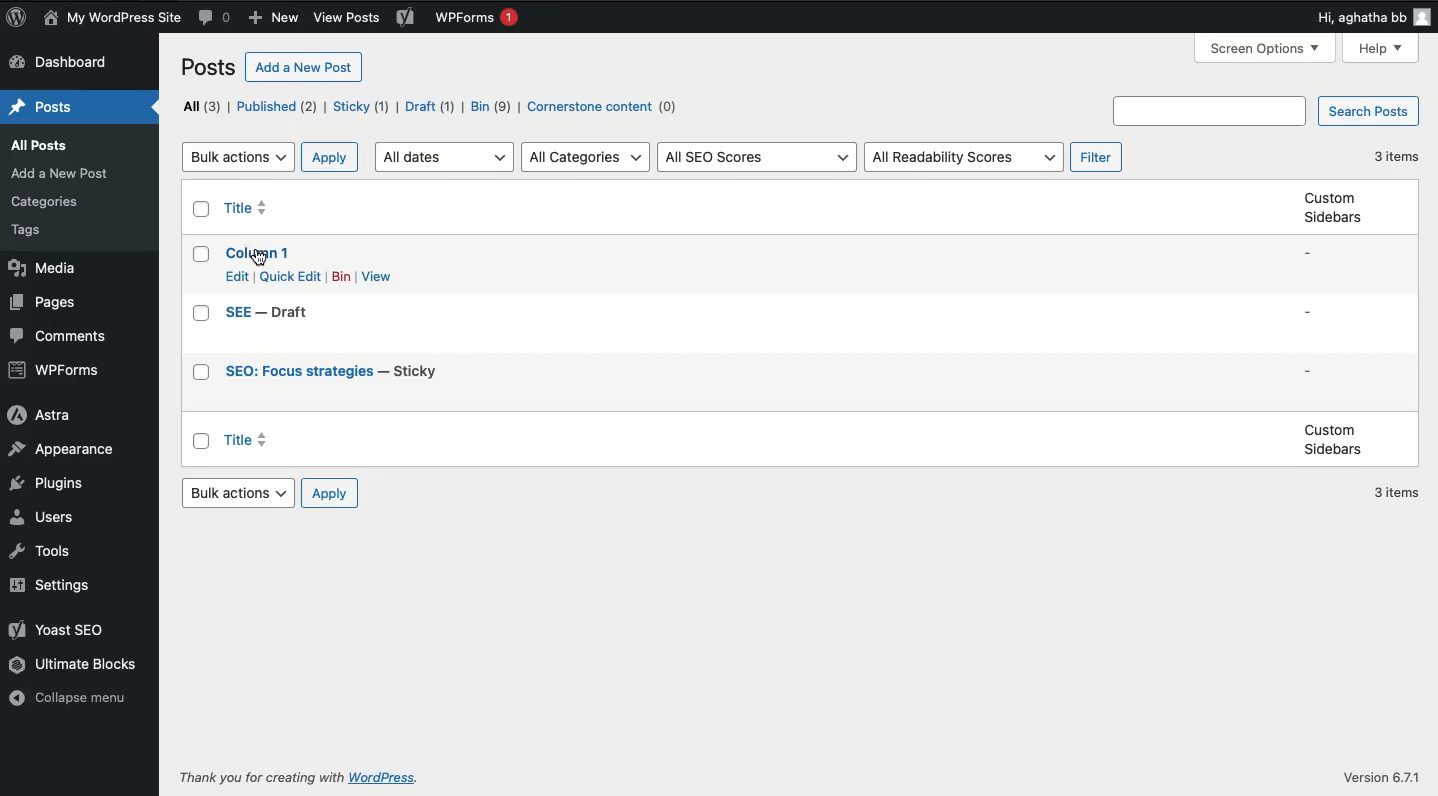 The image size is (1438, 796). What do you see at coordinates (478, 17) in the screenshot?
I see `WPForms` at bounding box center [478, 17].